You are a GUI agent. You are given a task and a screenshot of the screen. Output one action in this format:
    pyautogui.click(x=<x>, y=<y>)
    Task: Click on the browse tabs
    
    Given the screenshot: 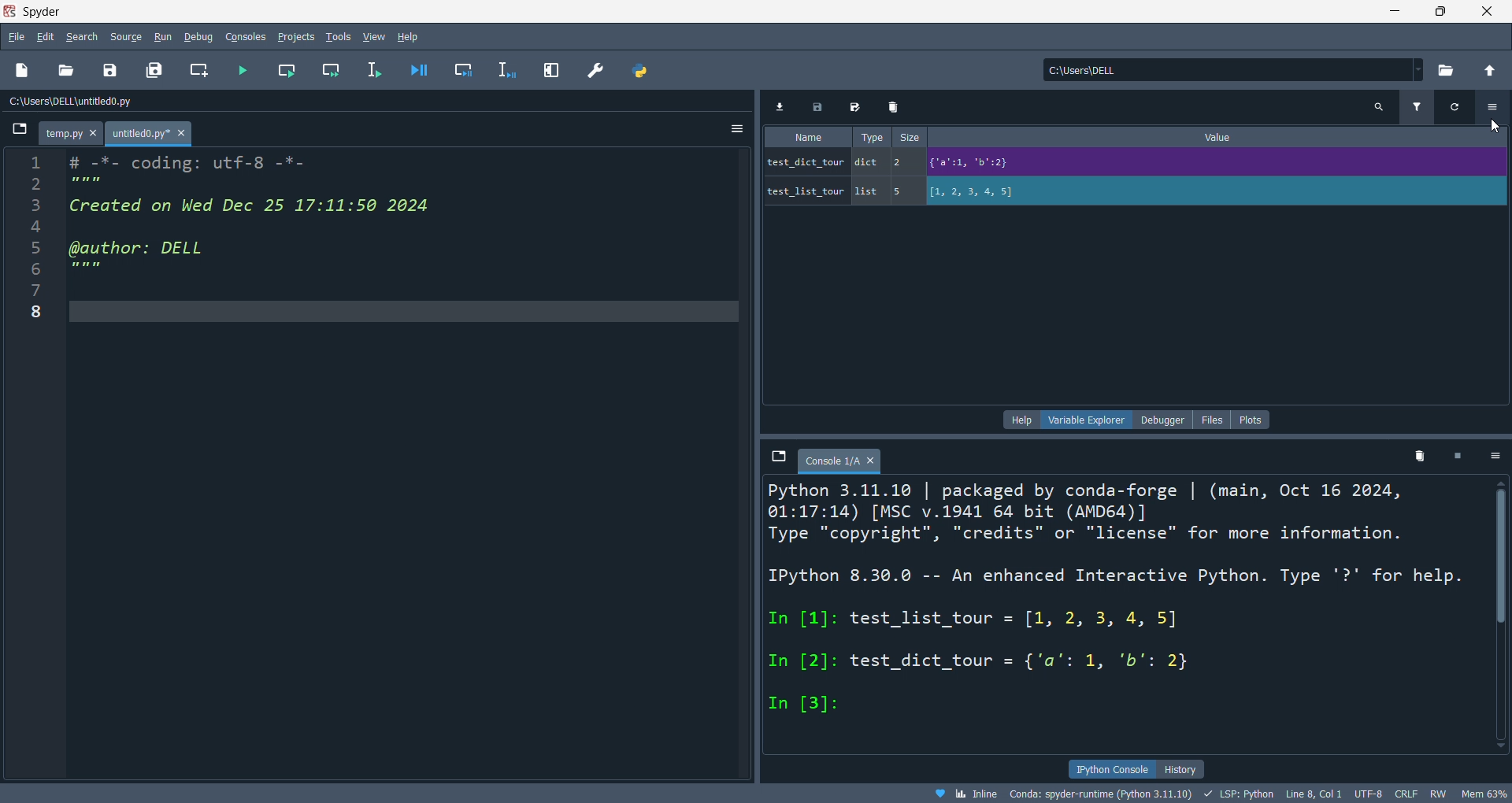 What is the action you would take?
    pyautogui.click(x=774, y=457)
    